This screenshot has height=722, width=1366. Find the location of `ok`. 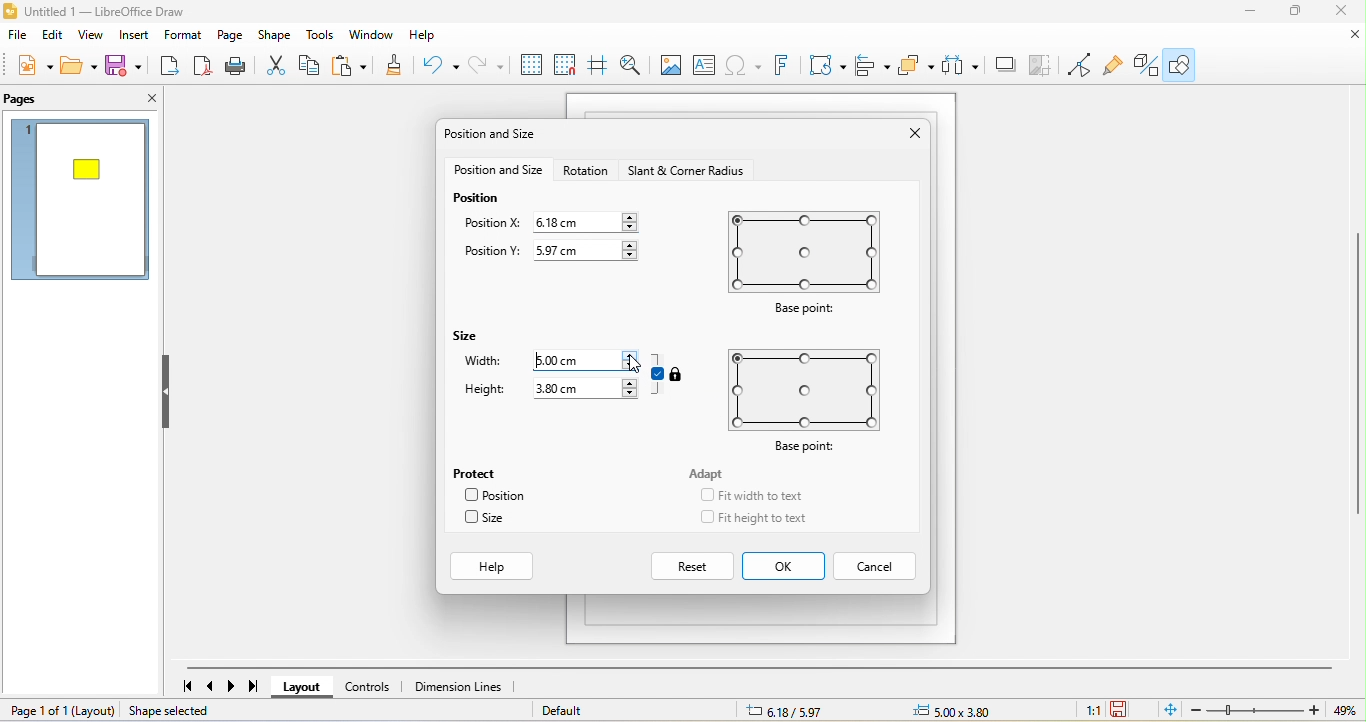

ok is located at coordinates (786, 566).